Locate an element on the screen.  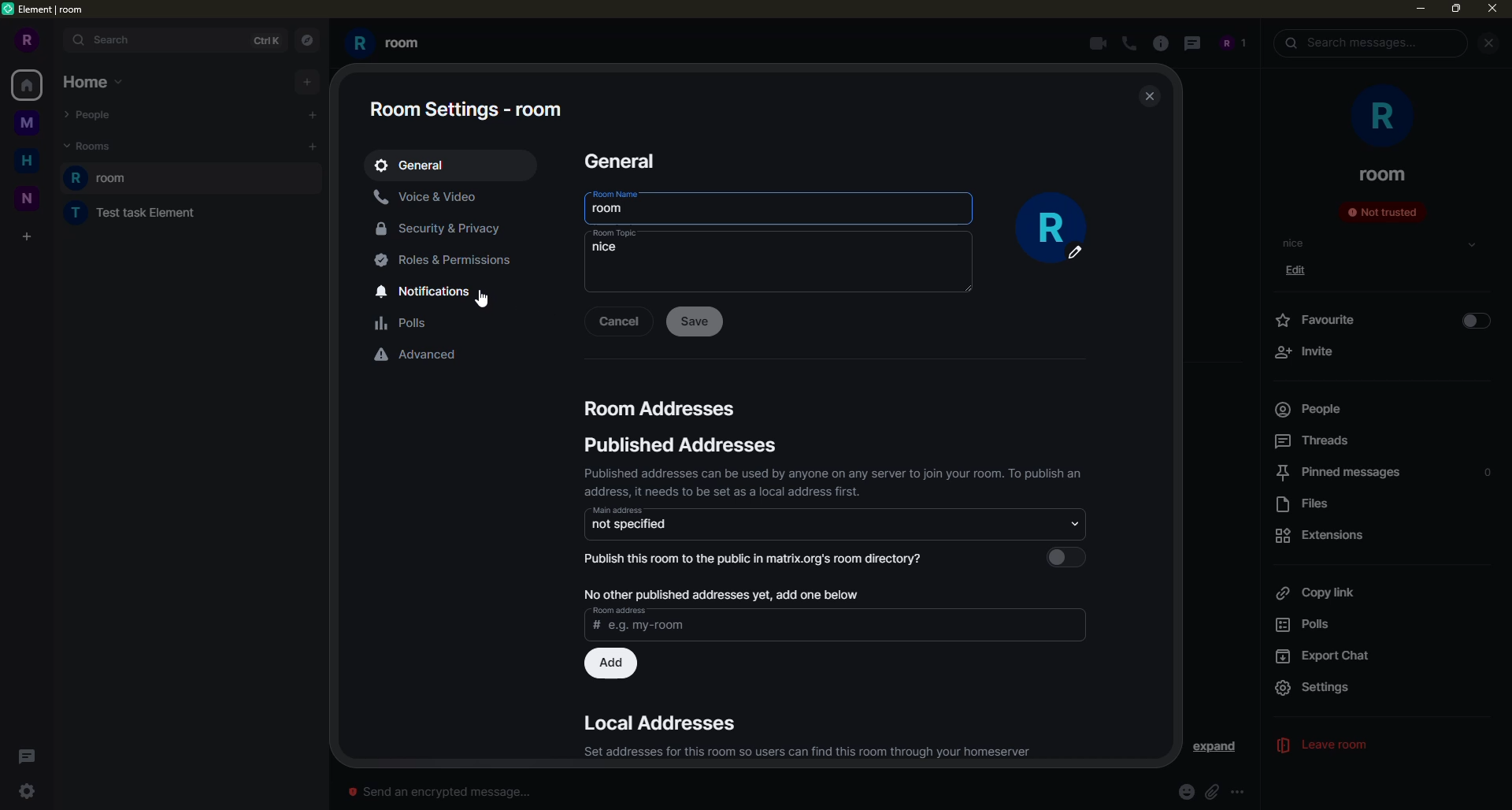
not specified is located at coordinates (691, 525).